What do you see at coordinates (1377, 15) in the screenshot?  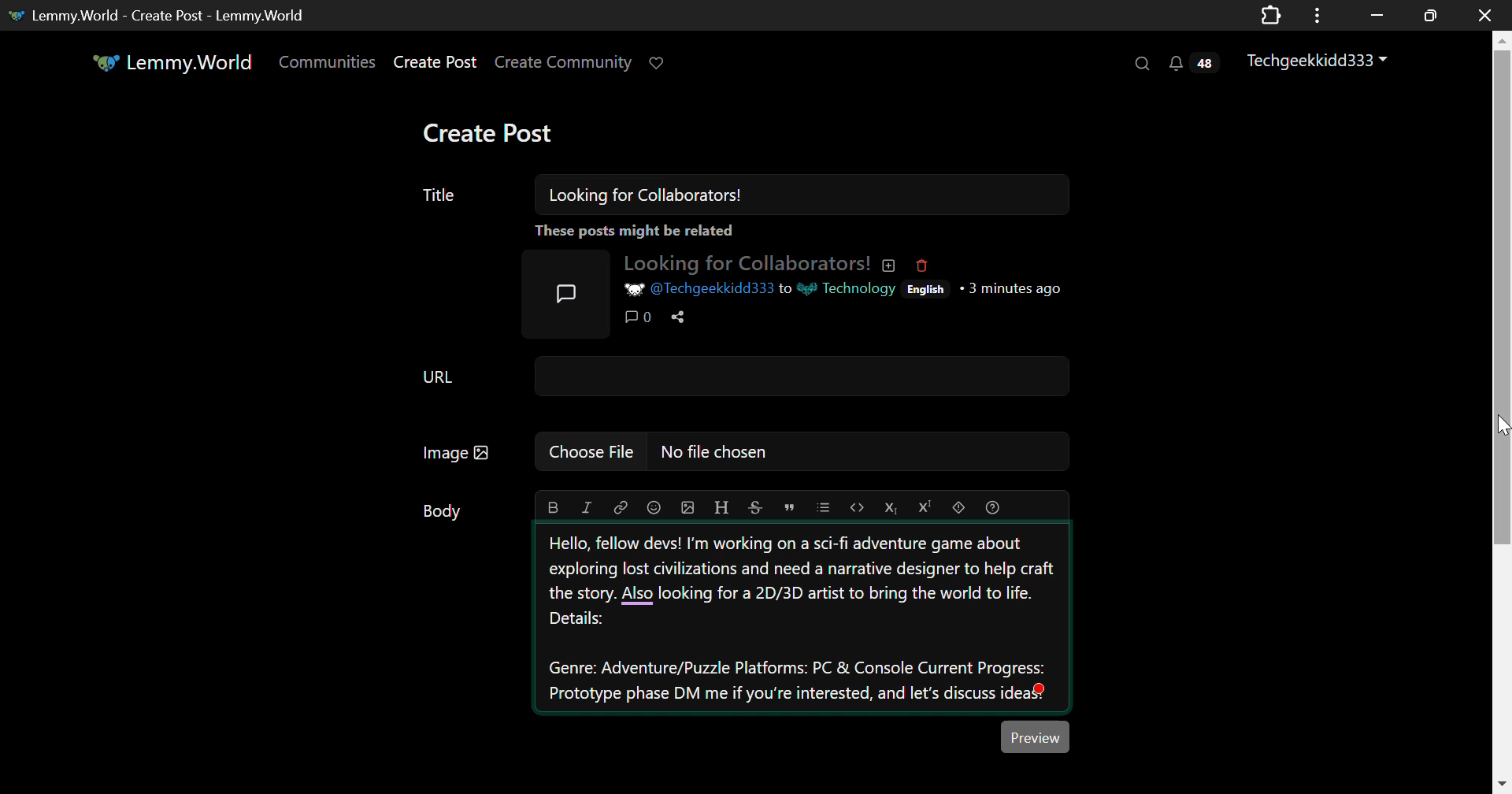 I see `Restore Down` at bounding box center [1377, 15].